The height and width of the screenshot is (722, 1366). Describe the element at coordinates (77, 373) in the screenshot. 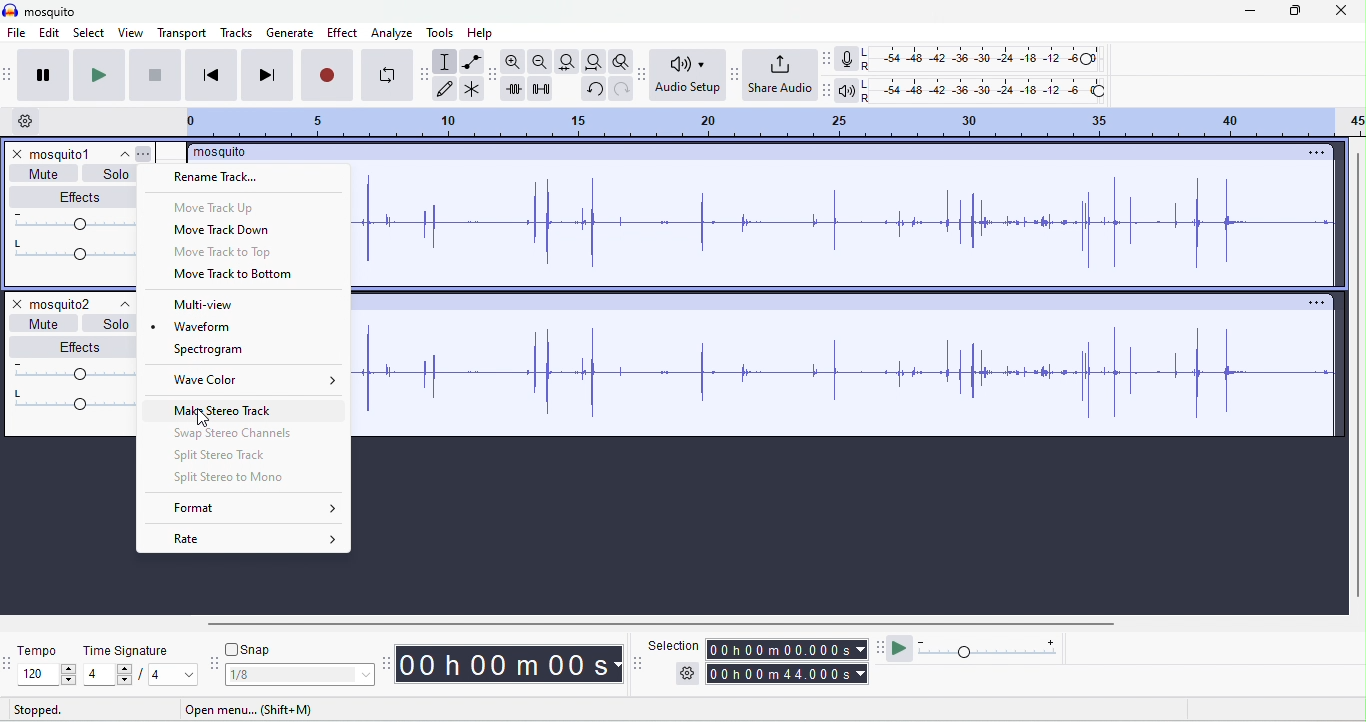

I see `volume` at that location.